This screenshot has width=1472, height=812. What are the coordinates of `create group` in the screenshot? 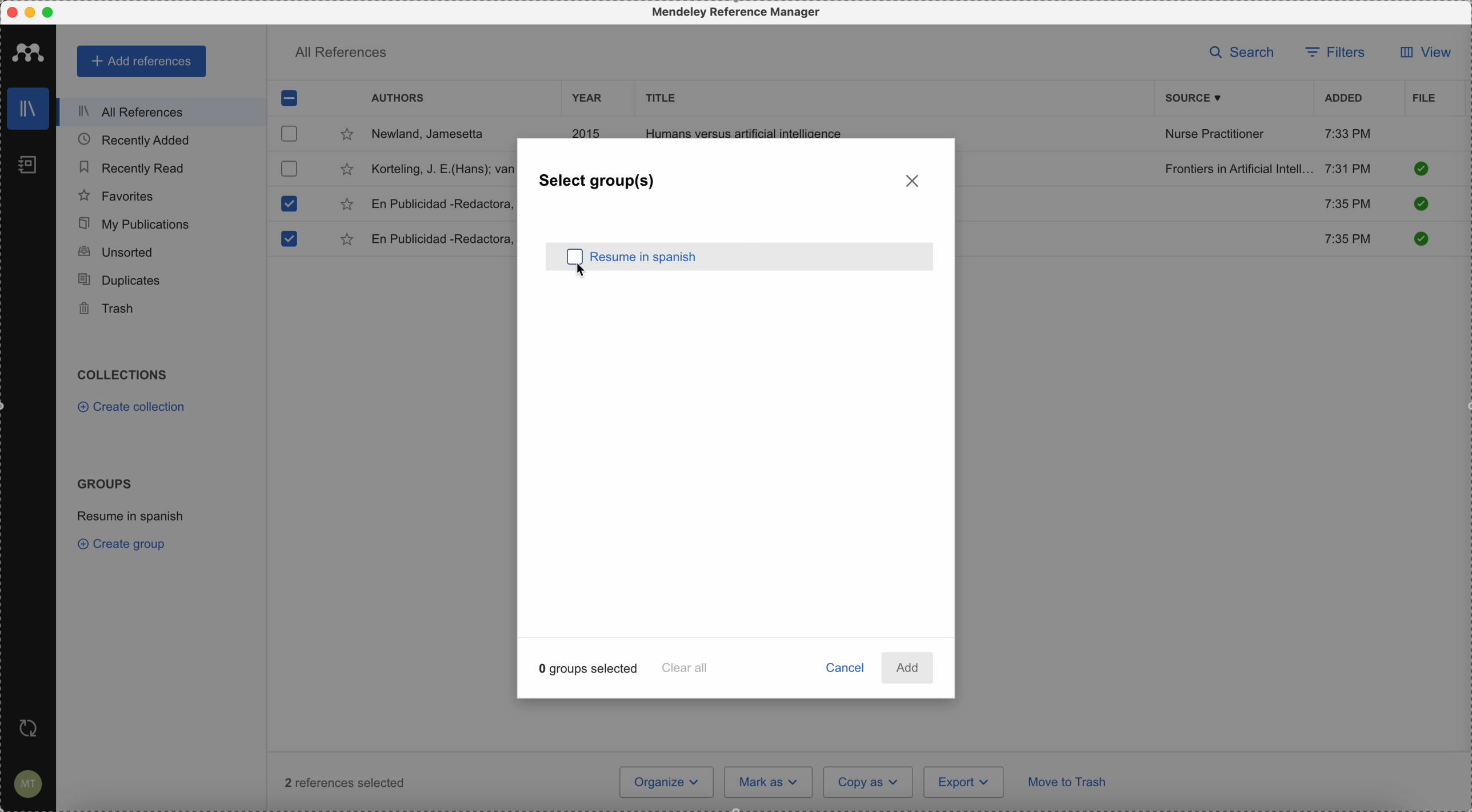 It's located at (125, 543).